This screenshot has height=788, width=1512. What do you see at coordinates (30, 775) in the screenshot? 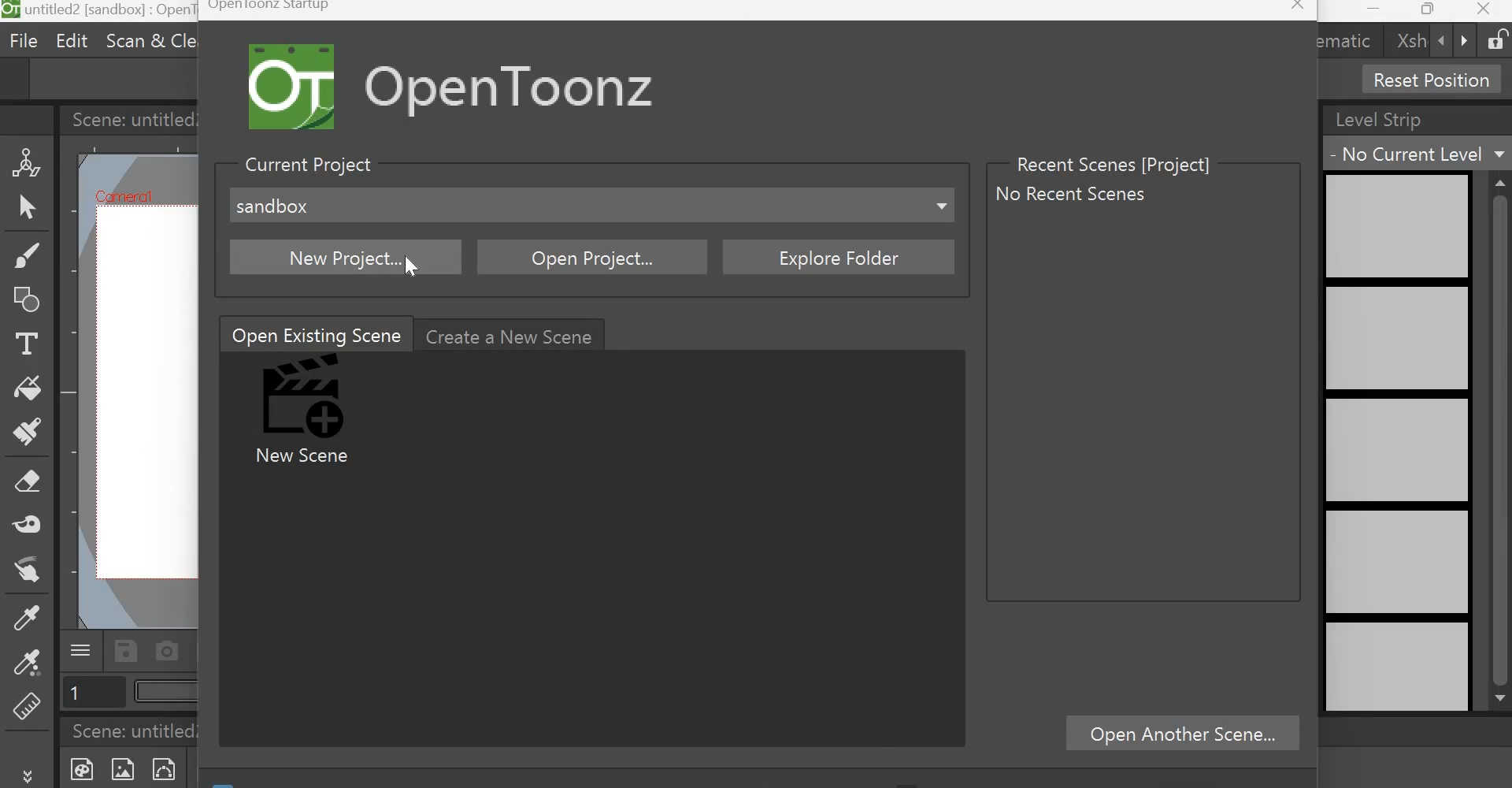
I see `More tools` at bounding box center [30, 775].